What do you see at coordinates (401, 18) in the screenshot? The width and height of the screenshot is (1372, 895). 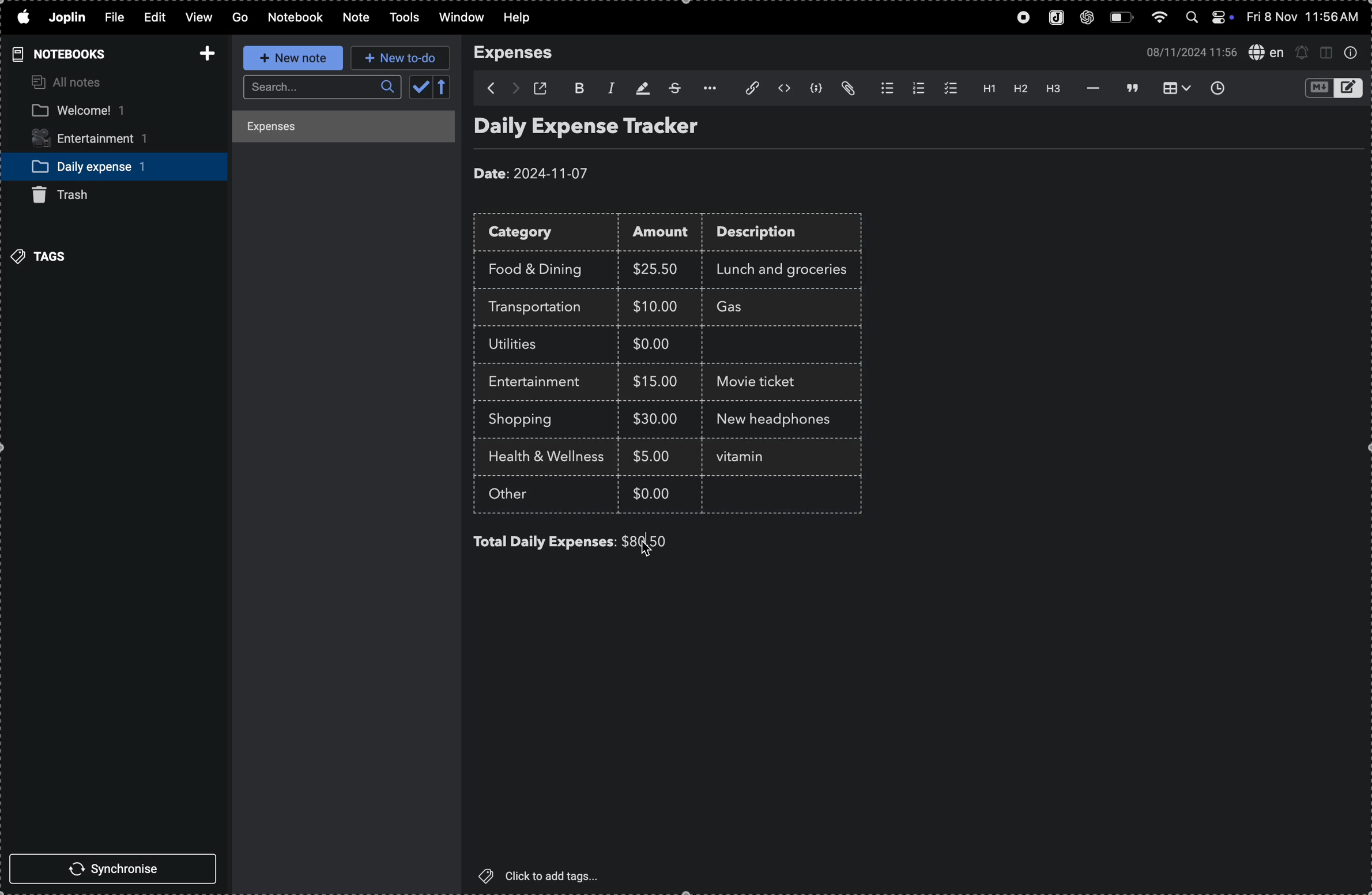 I see `tools` at bounding box center [401, 18].